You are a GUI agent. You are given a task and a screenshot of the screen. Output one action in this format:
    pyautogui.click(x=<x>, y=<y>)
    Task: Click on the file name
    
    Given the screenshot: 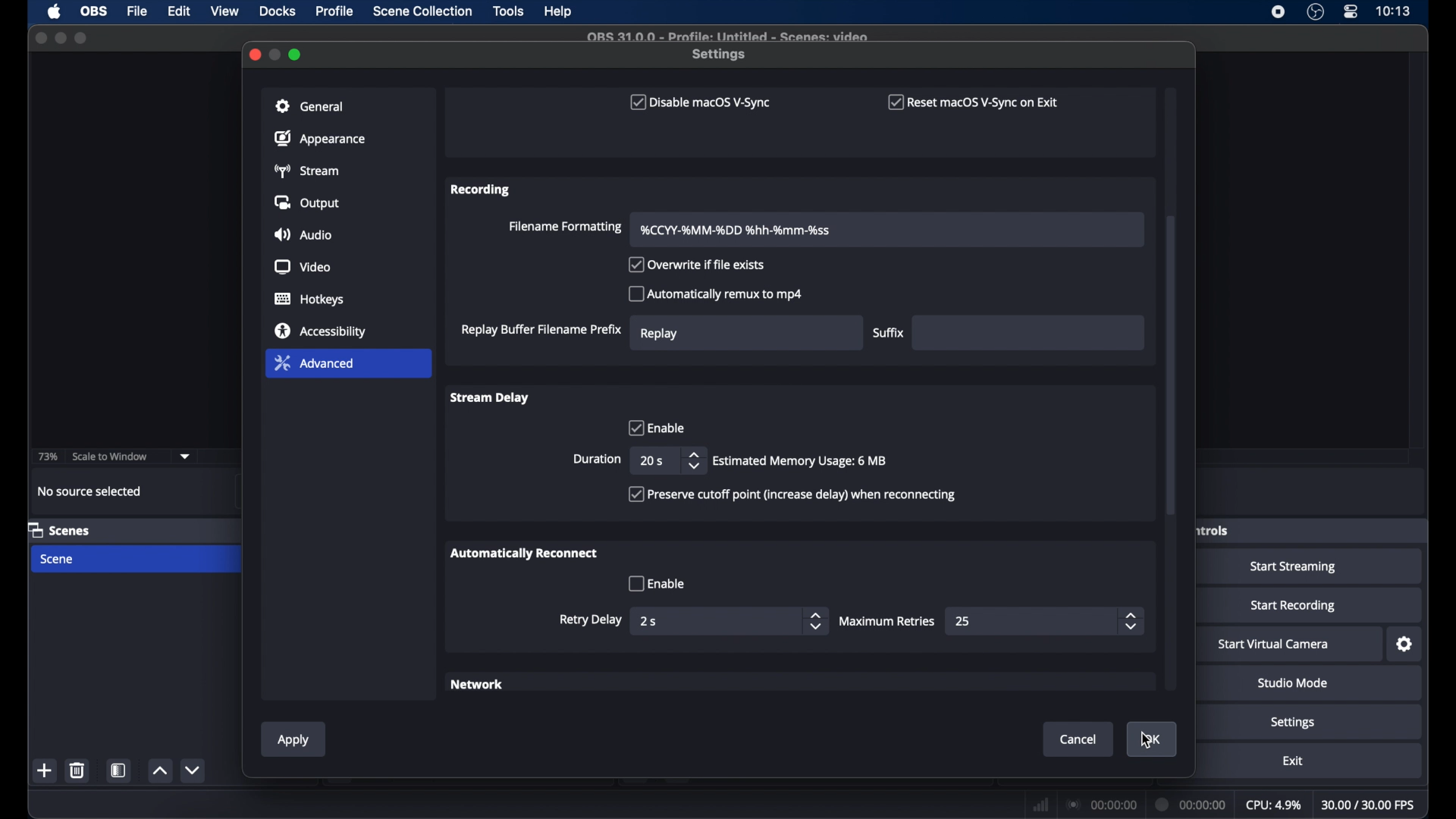 What is the action you would take?
    pyautogui.click(x=726, y=35)
    